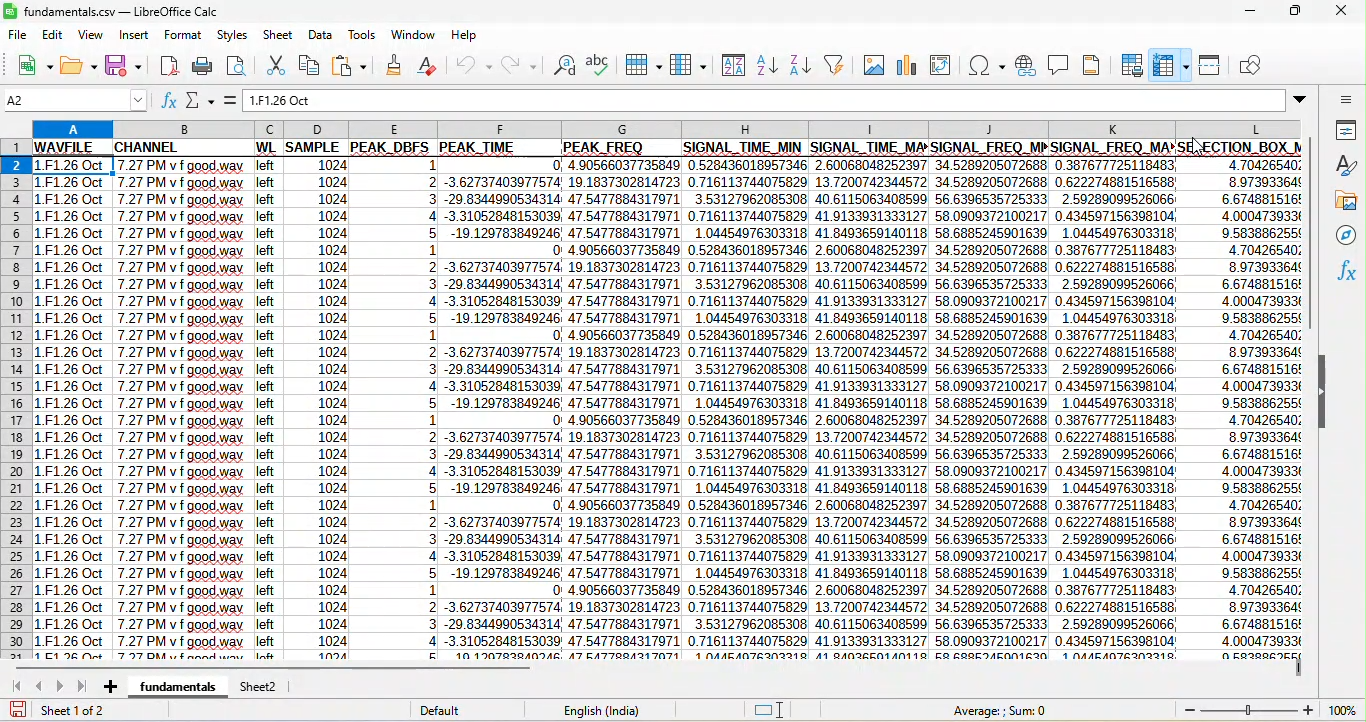  What do you see at coordinates (274, 64) in the screenshot?
I see `cut` at bounding box center [274, 64].